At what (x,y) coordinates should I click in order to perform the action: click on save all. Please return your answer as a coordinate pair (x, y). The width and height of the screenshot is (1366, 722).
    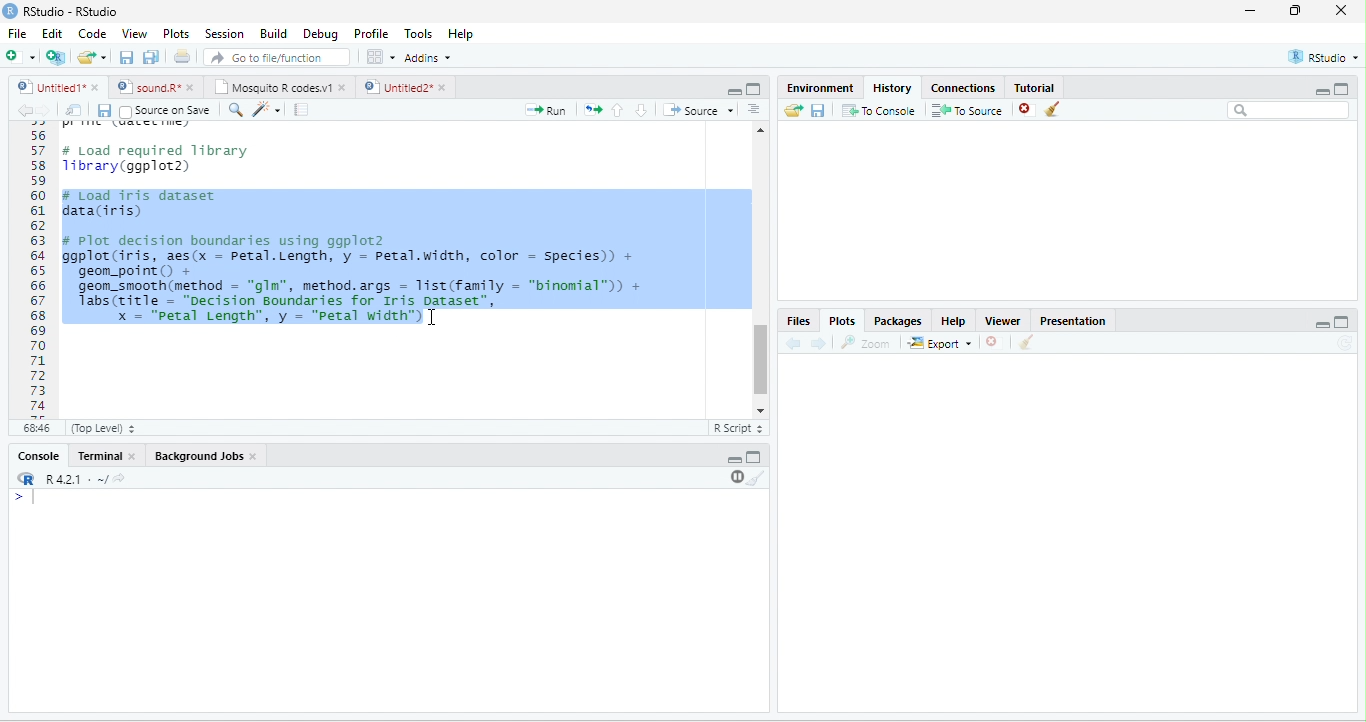
    Looking at the image, I should click on (150, 57).